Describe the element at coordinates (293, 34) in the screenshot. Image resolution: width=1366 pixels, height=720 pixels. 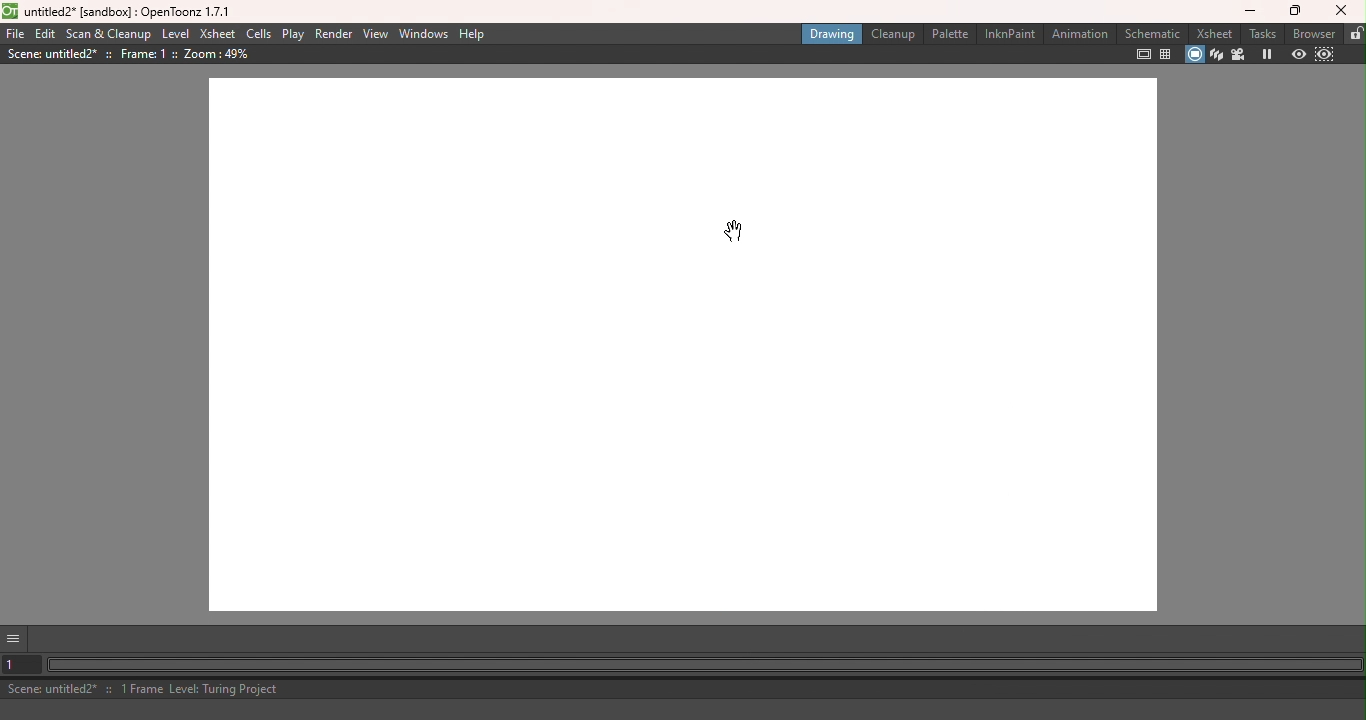
I see `Play` at that location.